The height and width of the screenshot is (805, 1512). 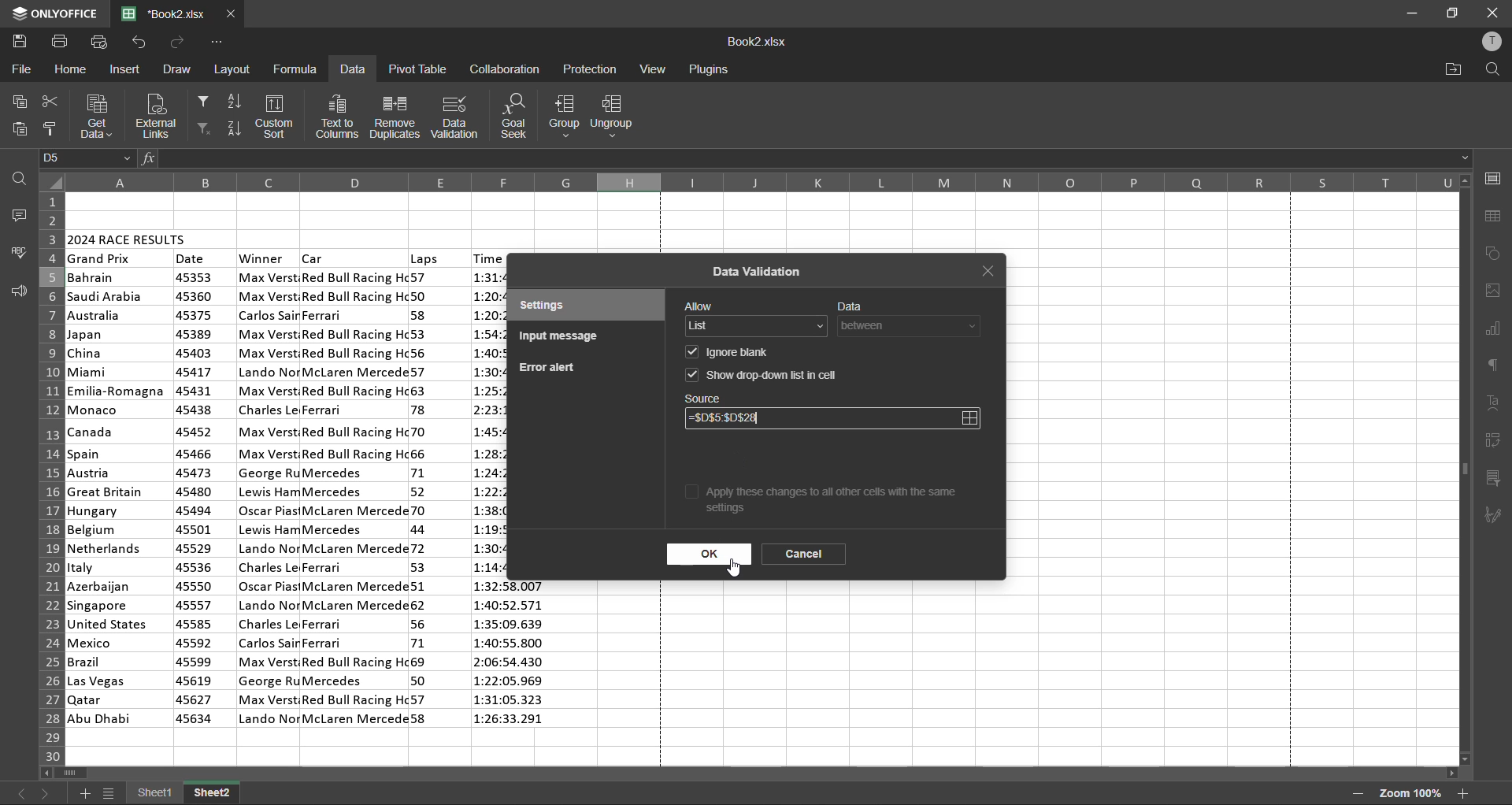 What do you see at coordinates (215, 43) in the screenshot?
I see `customize quick access toolbar` at bounding box center [215, 43].